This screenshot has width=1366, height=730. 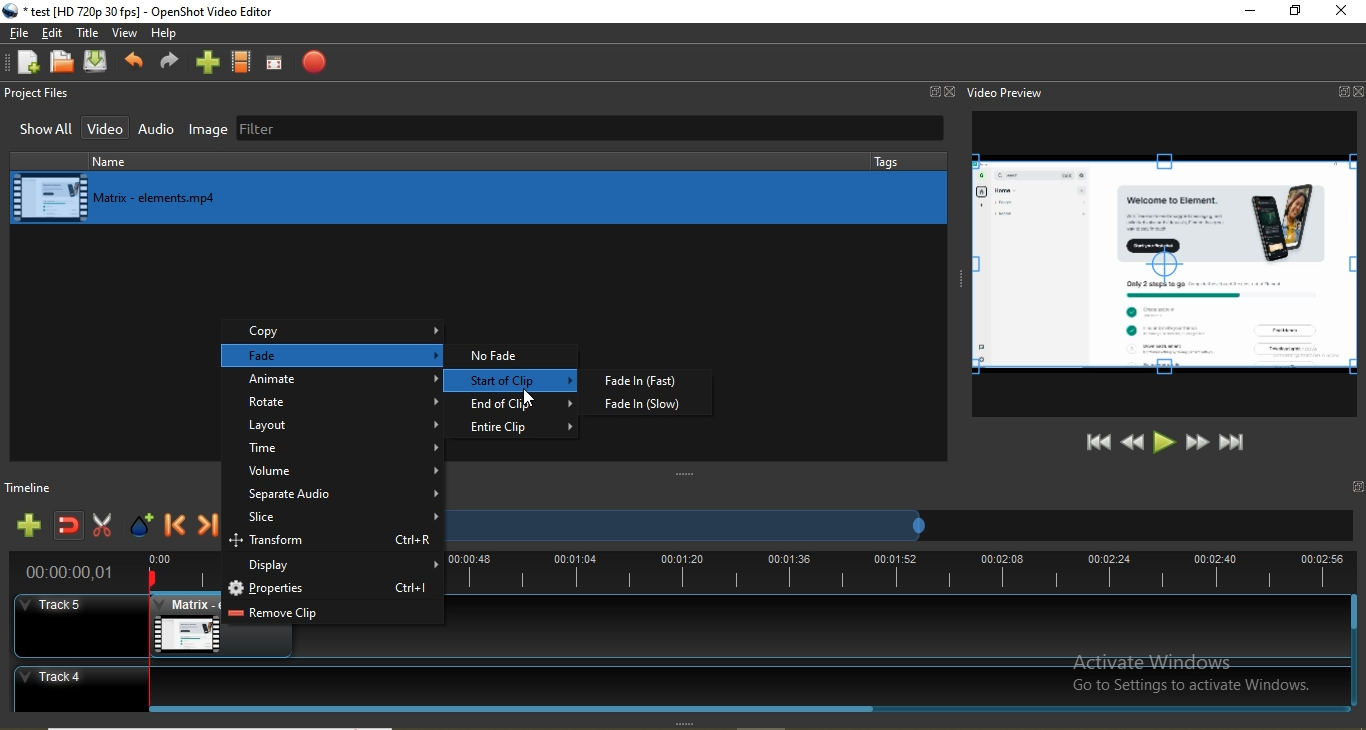 I want to click on Redo, so click(x=169, y=65).